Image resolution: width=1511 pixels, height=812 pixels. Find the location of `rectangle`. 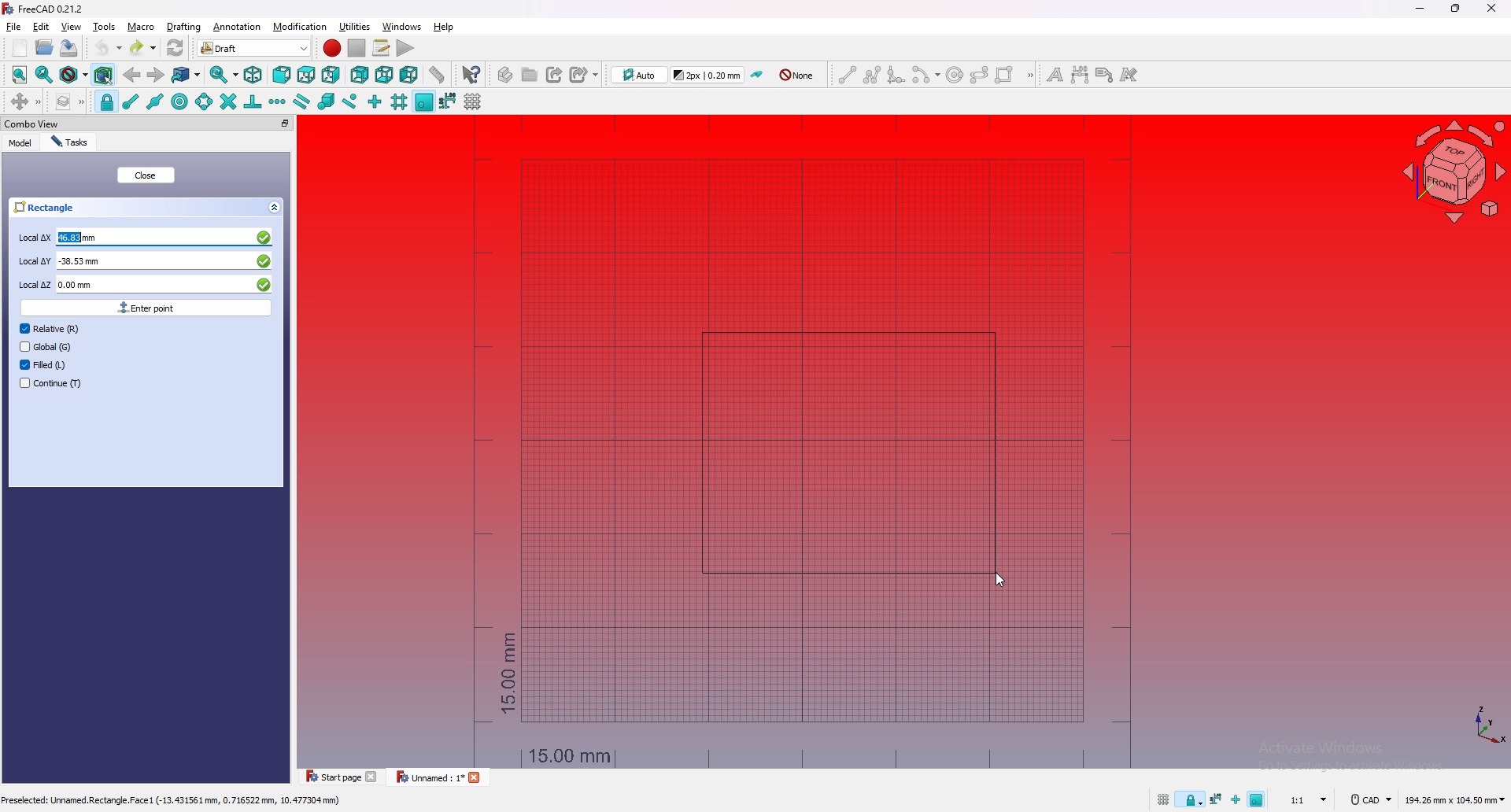

rectangle is located at coordinates (148, 206).